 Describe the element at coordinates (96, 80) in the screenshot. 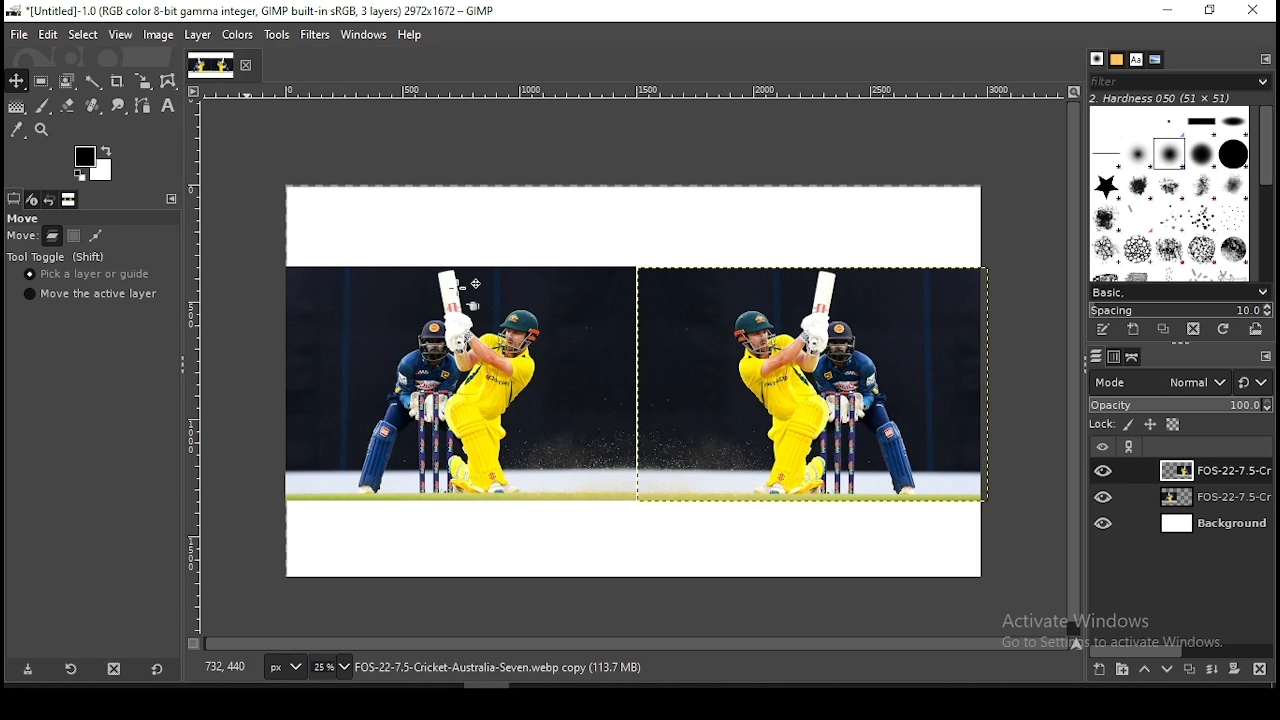

I see `fuzzy select tool` at that location.